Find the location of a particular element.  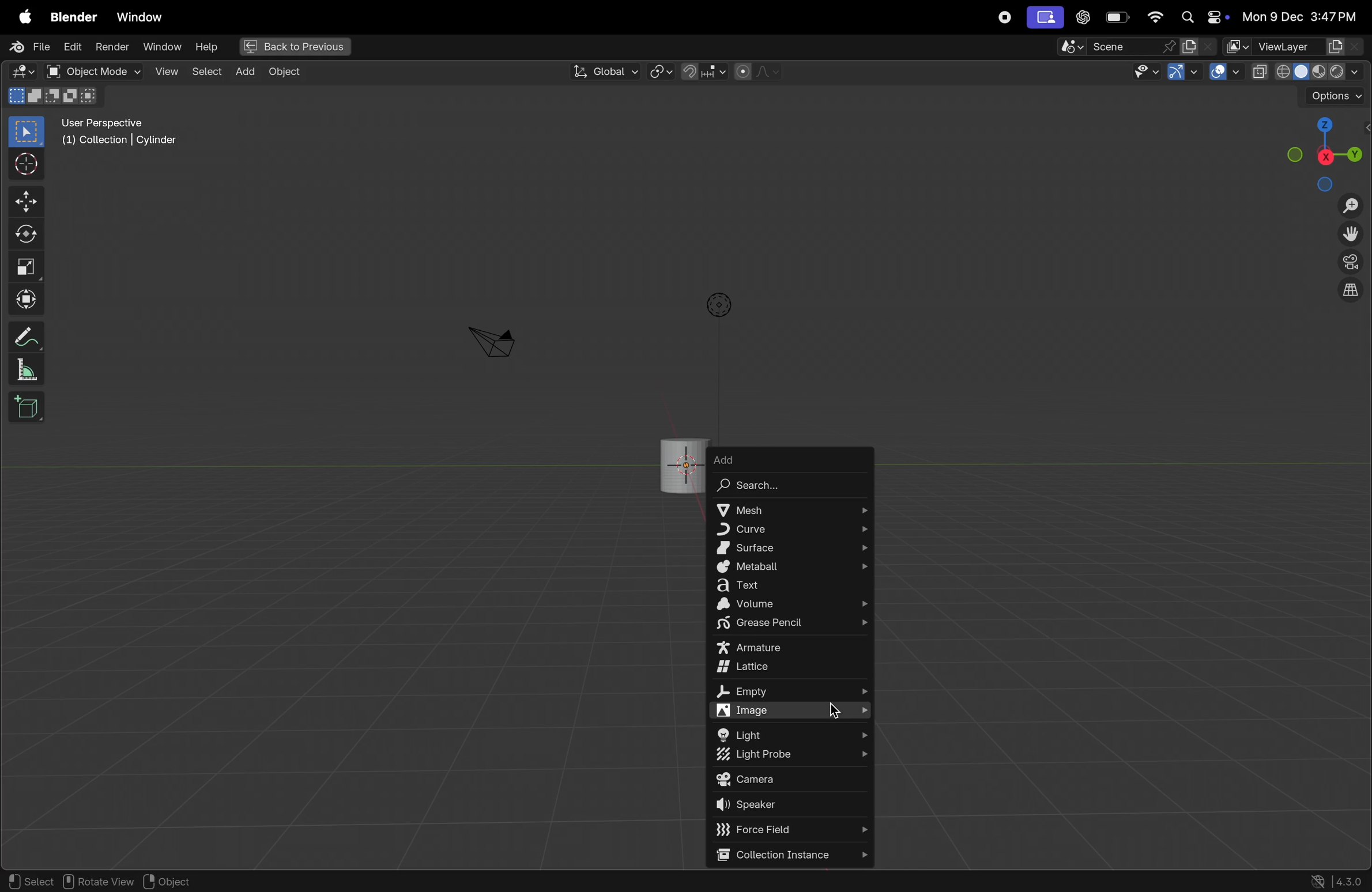

test is located at coordinates (793, 587).